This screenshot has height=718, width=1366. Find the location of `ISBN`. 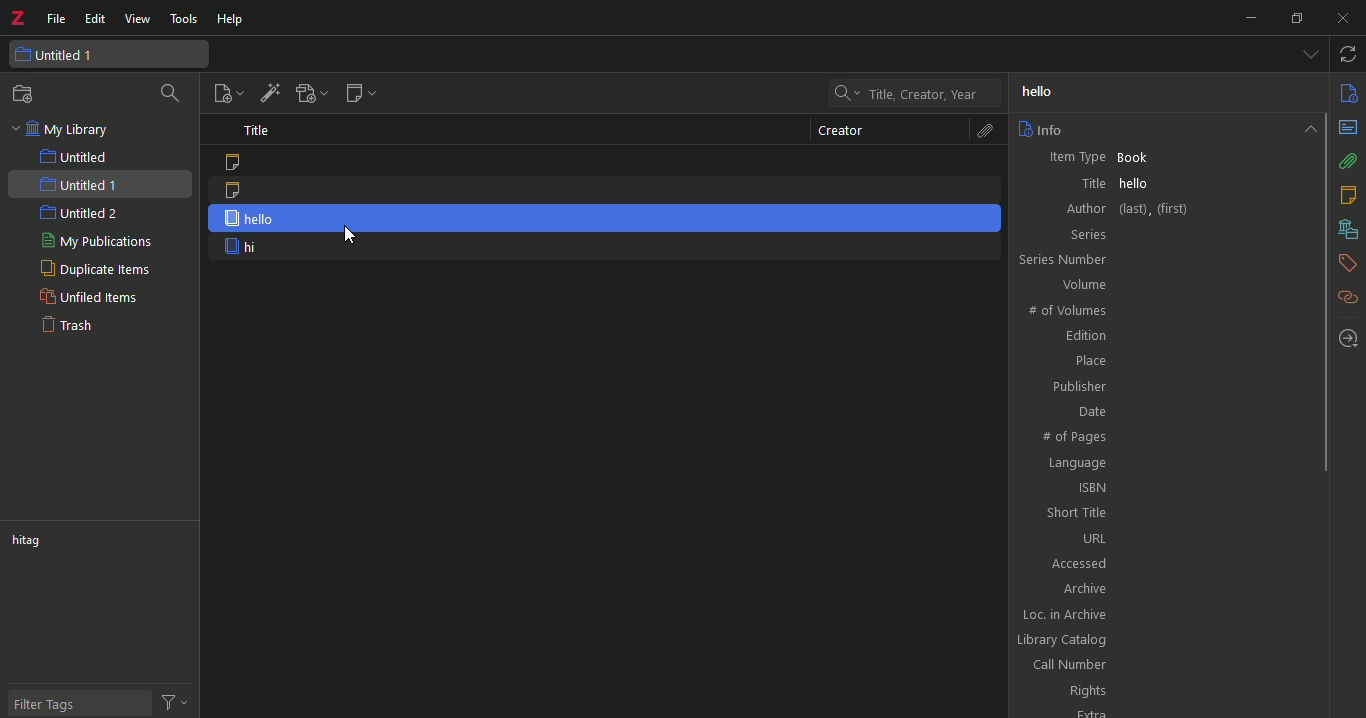

ISBN is located at coordinates (1091, 486).